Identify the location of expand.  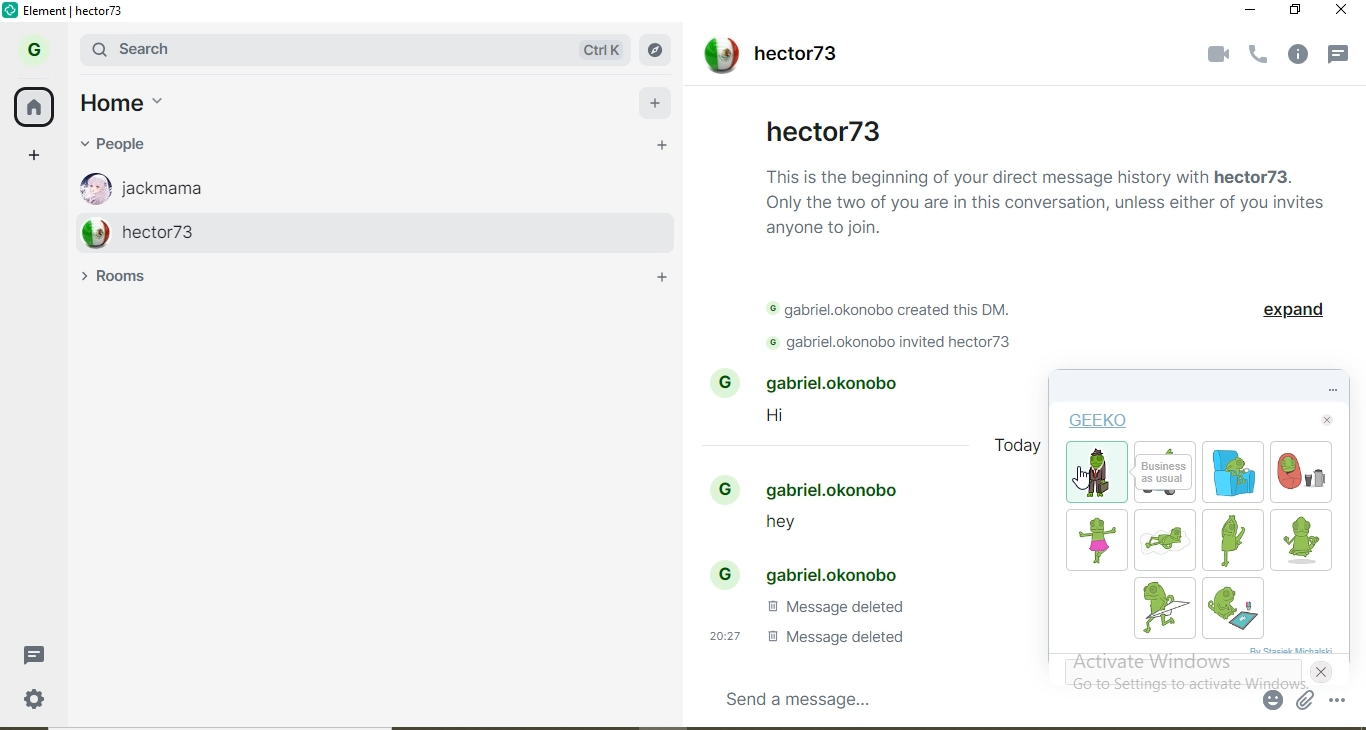
(1291, 313).